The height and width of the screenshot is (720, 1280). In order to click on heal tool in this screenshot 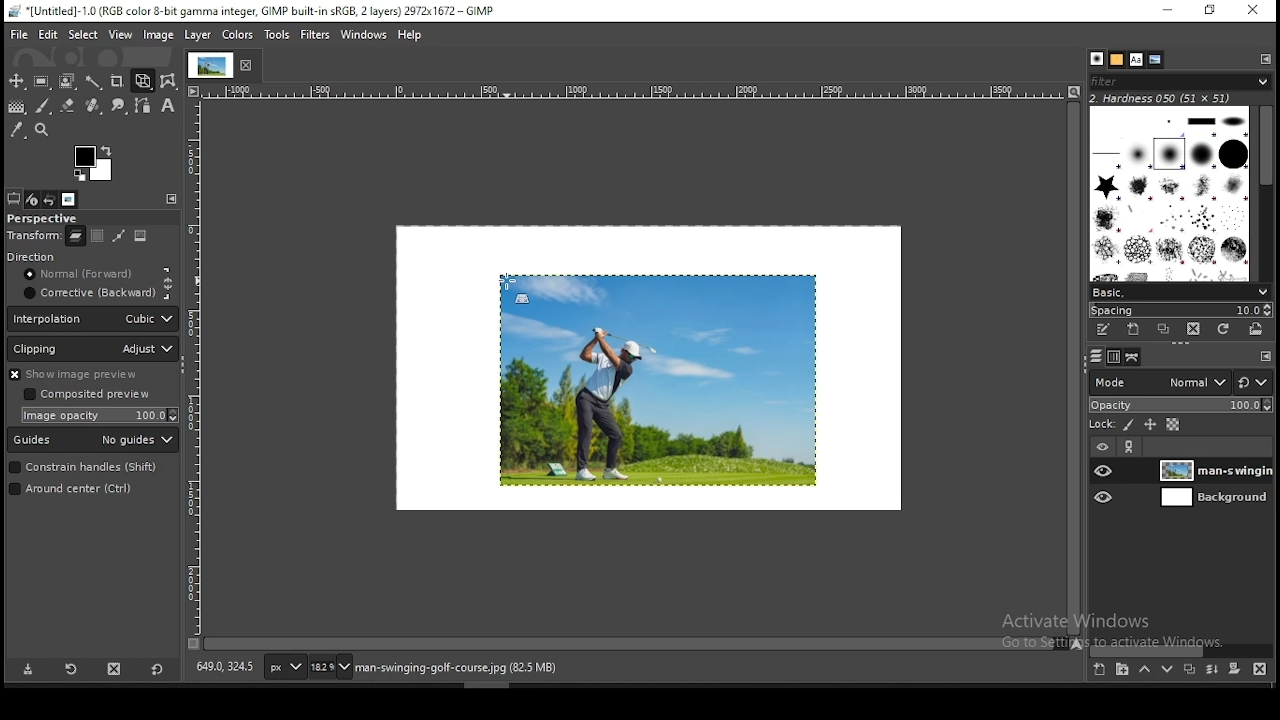, I will do `click(93, 108)`.